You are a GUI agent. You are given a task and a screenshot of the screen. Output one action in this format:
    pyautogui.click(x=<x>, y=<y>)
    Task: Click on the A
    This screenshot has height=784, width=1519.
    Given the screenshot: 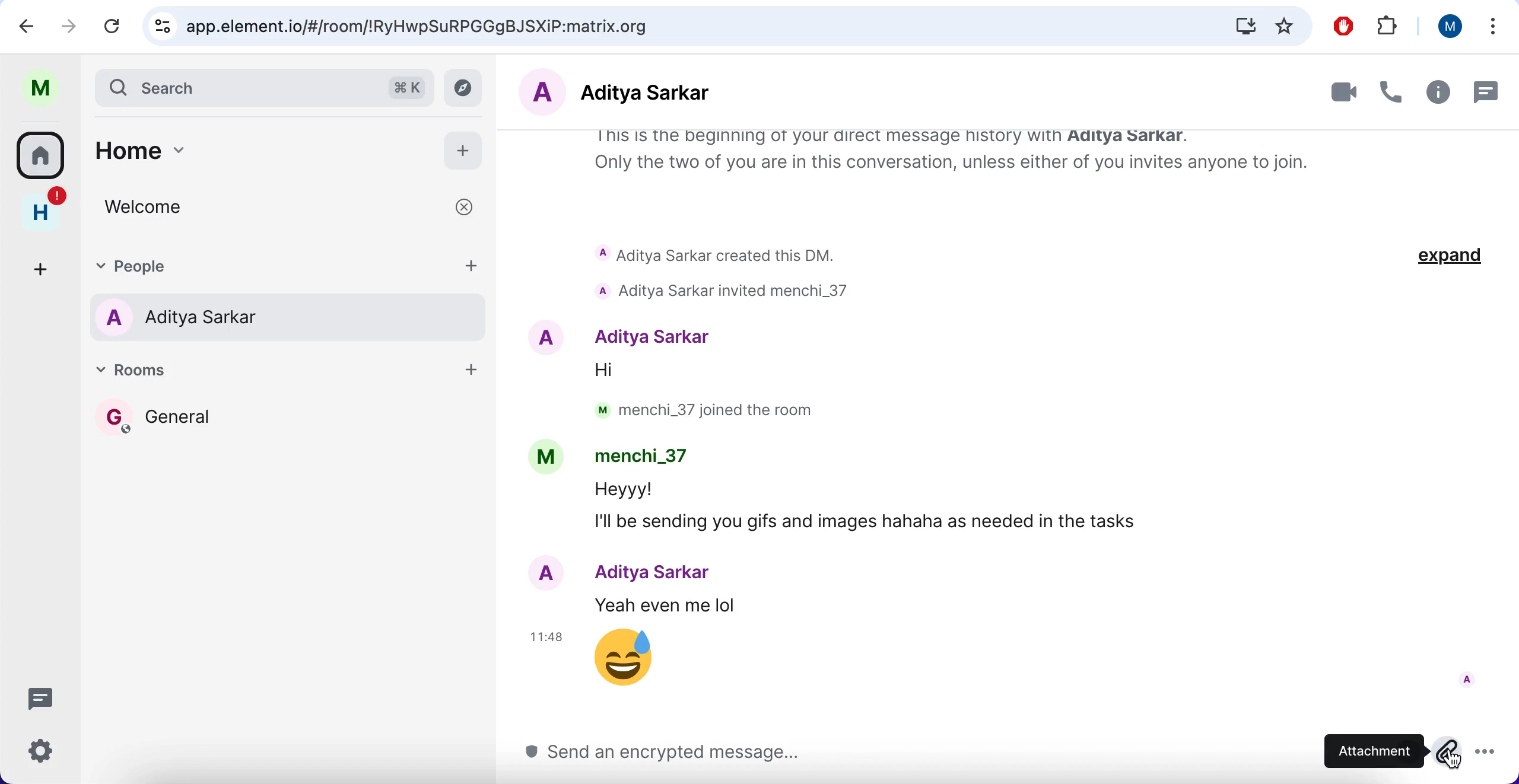 What is the action you would take?
    pyautogui.click(x=542, y=569)
    